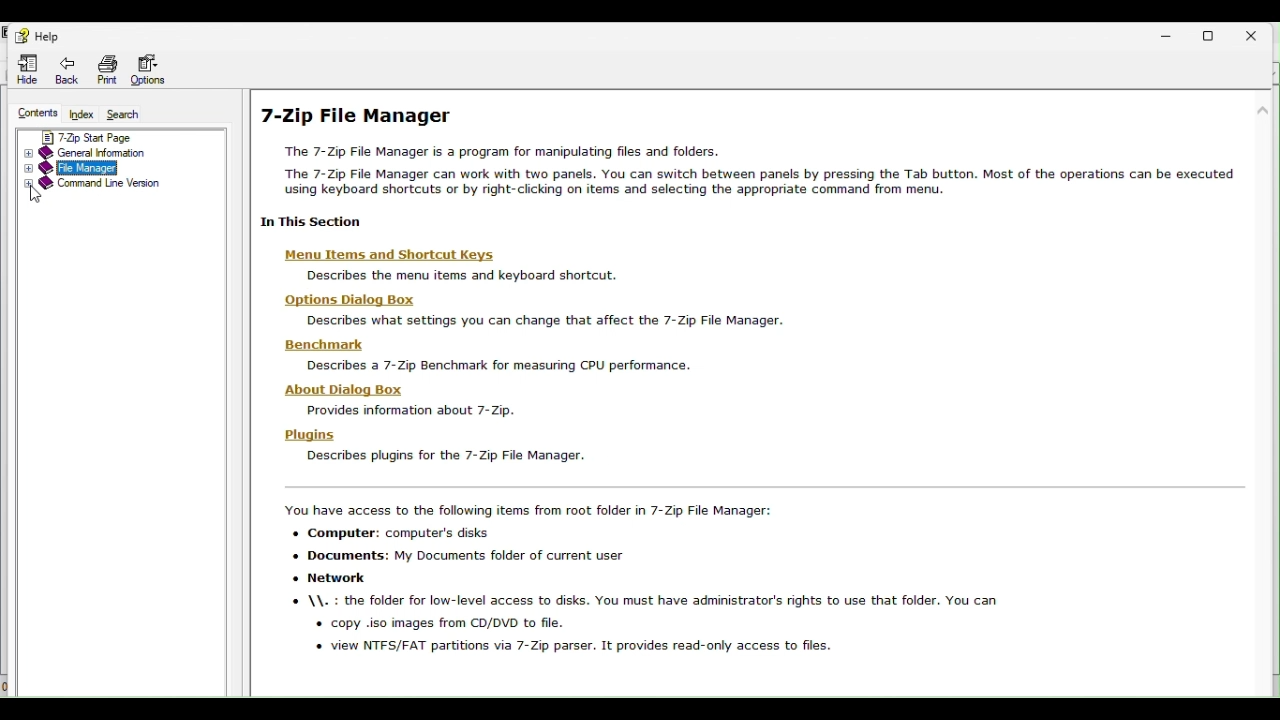 The height and width of the screenshot is (720, 1280). What do you see at coordinates (95, 169) in the screenshot?
I see `File manager` at bounding box center [95, 169].